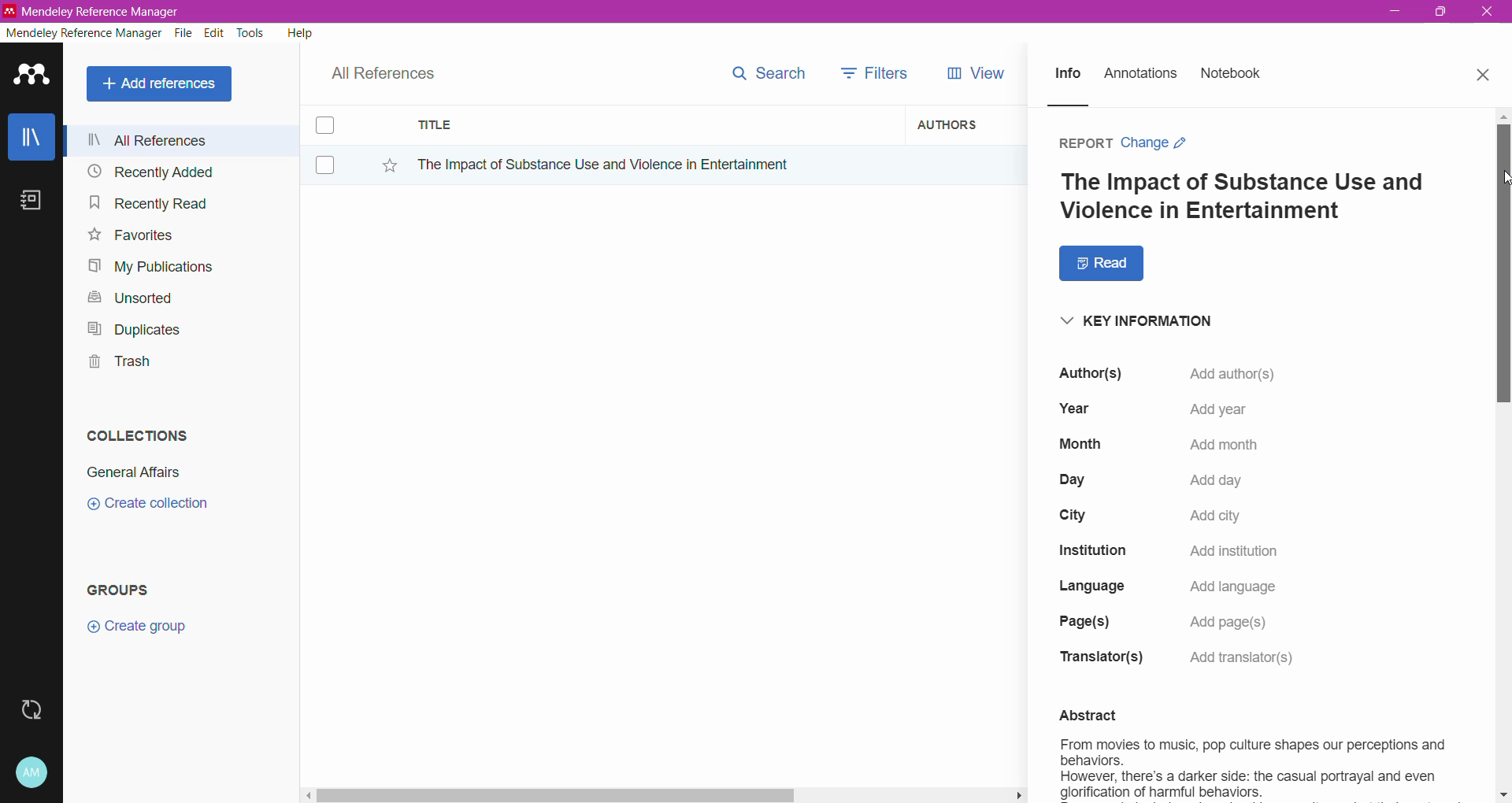  Describe the element at coordinates (94, 11) in the screenshot. I see `Application Name` at that location.